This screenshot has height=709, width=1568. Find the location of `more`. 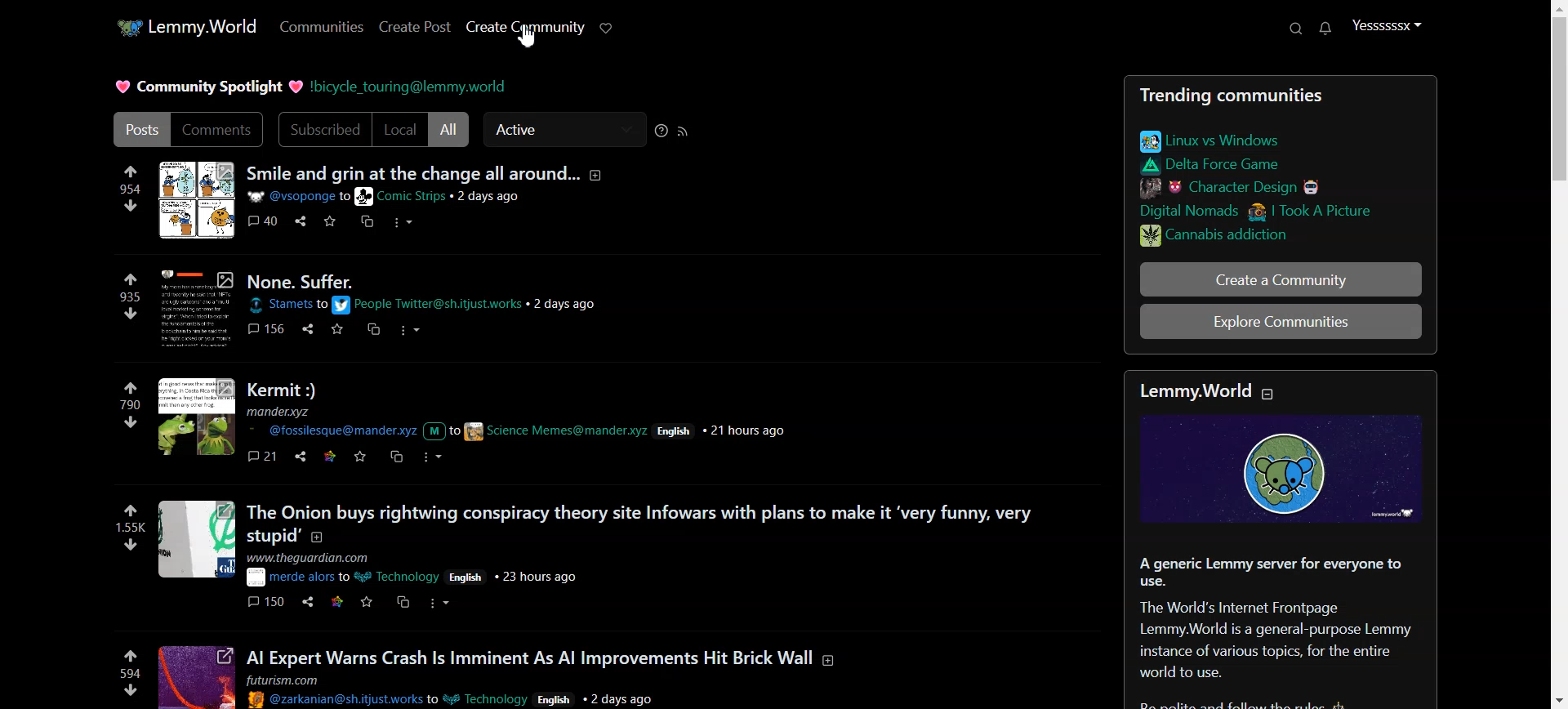

more is located at coordinates (434, 458).